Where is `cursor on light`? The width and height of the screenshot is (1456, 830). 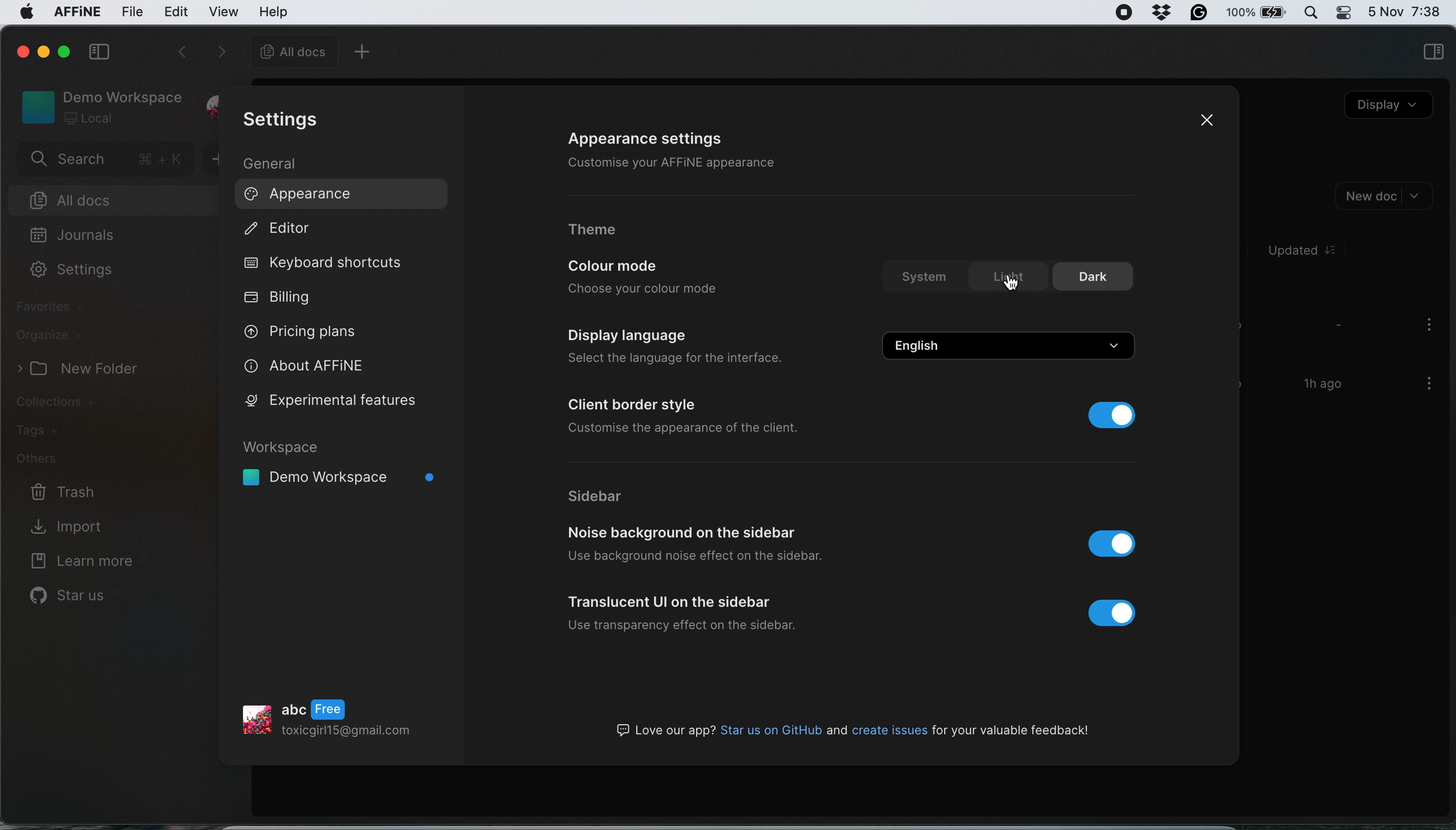 cursor on light is located at coordinates (1011, 284).